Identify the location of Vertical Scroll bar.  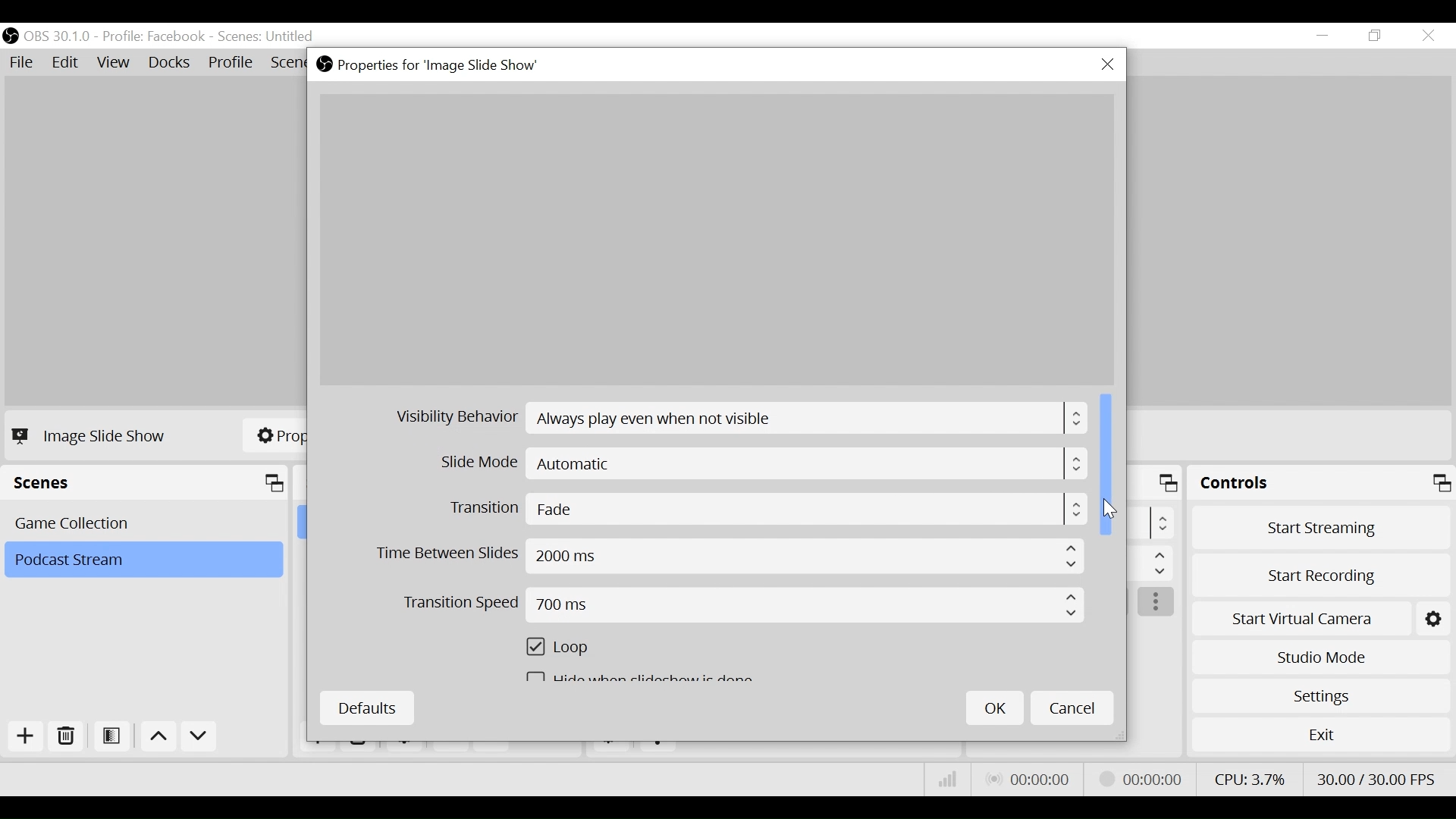
(1108, 463).